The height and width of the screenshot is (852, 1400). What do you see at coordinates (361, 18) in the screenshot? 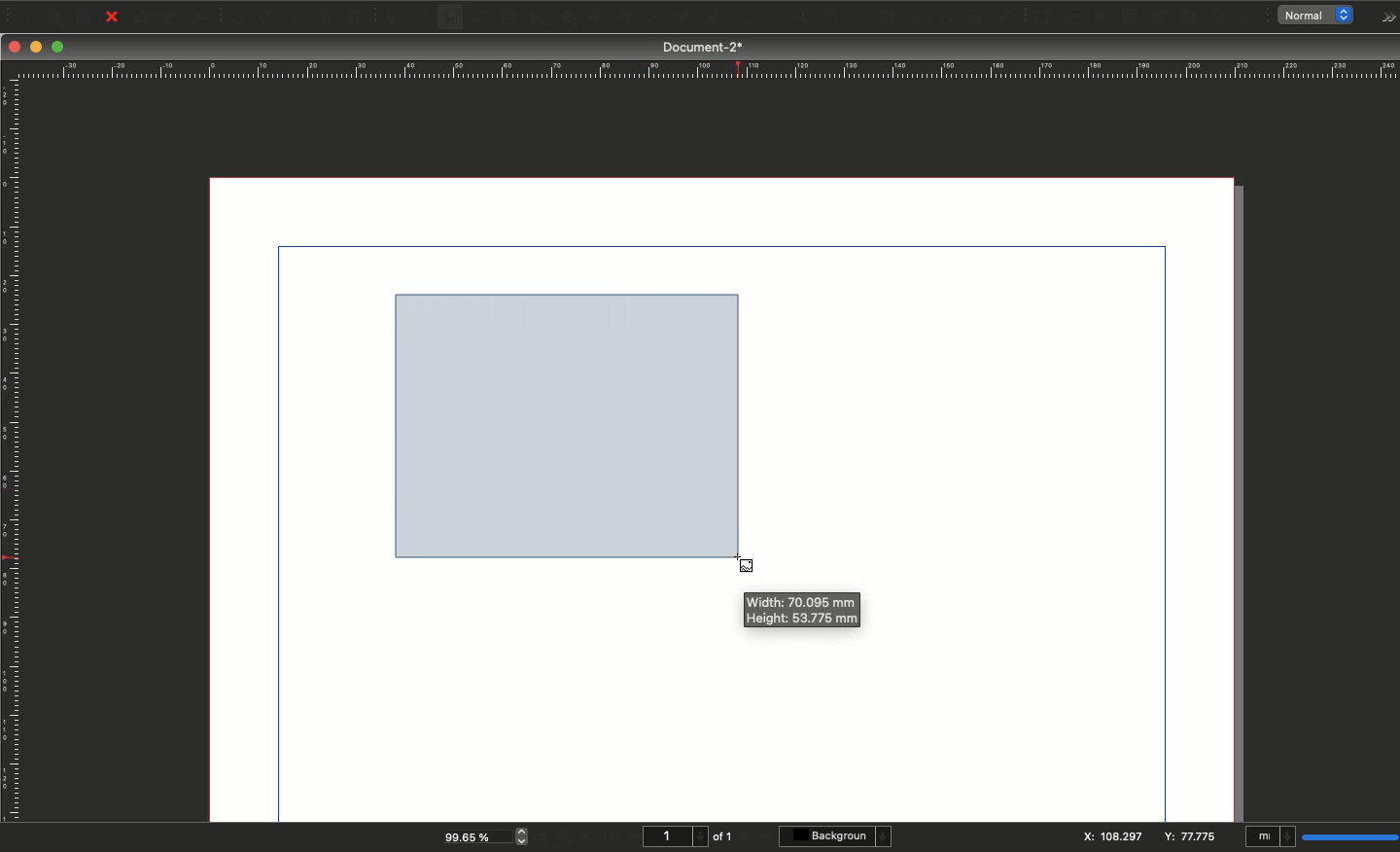
I see `Paste` at bounding box center [361, 18].